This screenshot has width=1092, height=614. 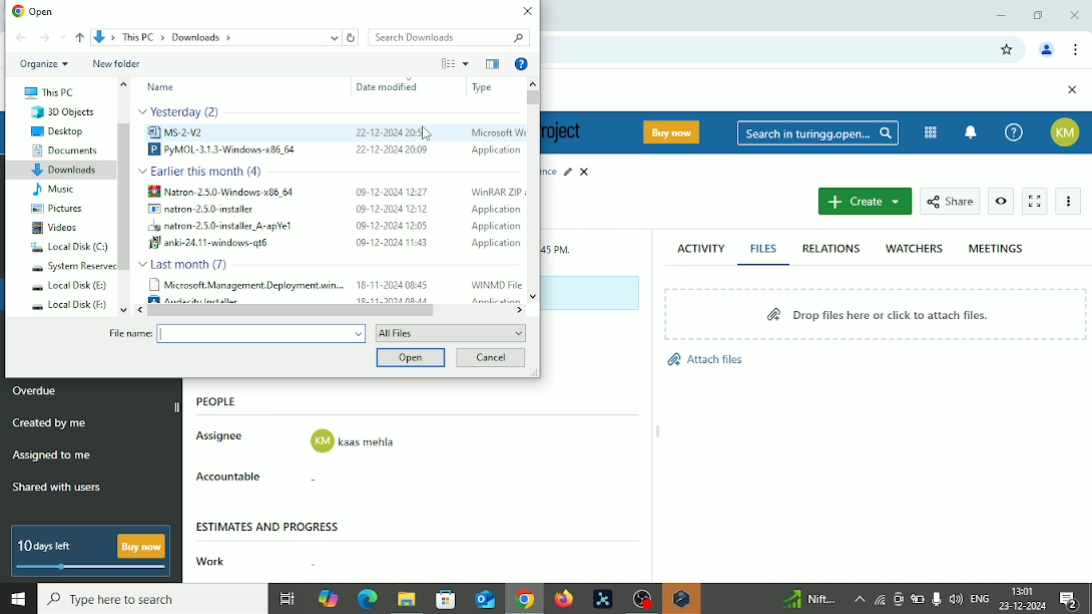 I want to click on Windows, so click(x=17, y=600).